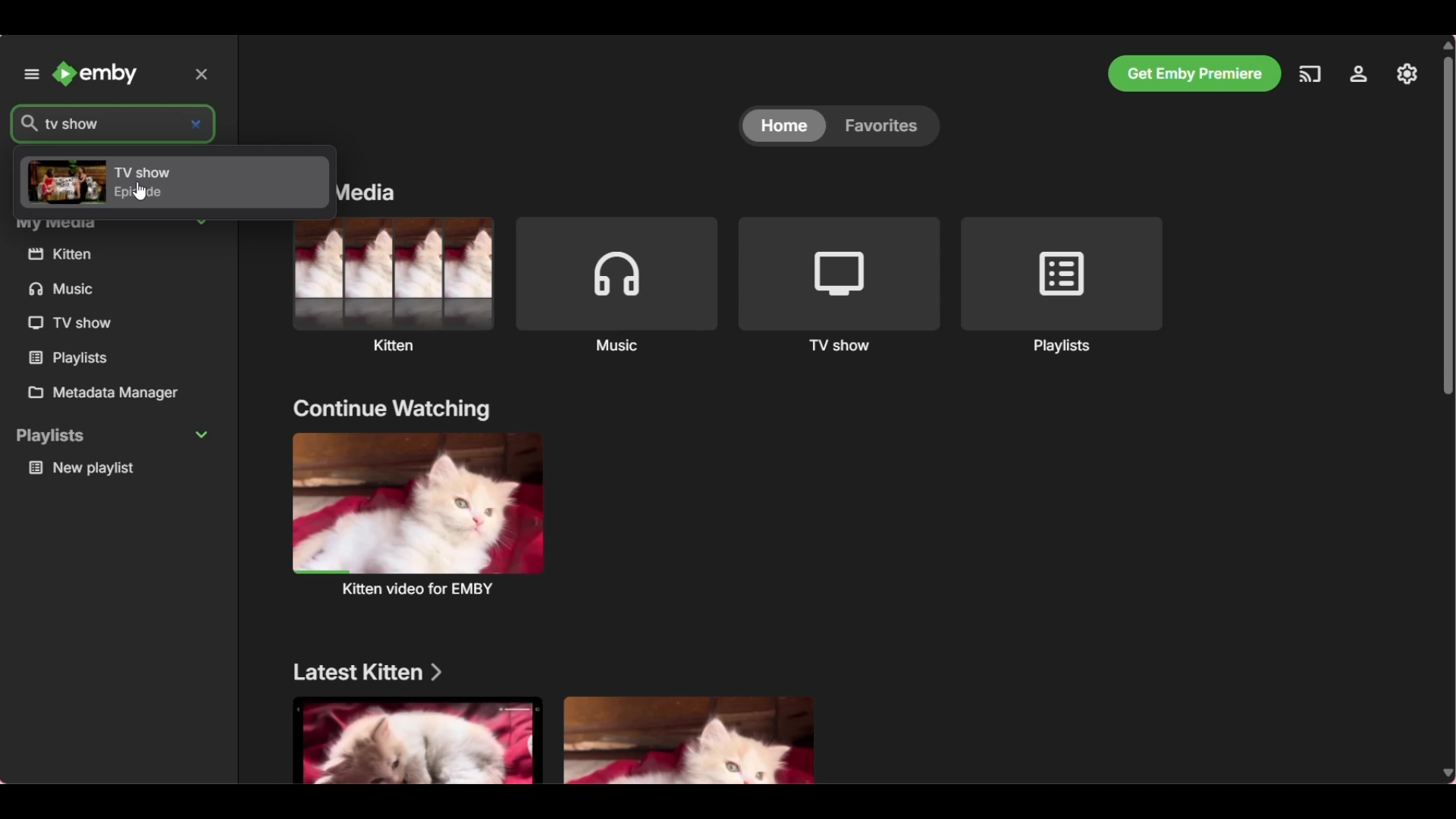 The image size is (1456, 819). Describe the element at coordinates (413, 742) in the screenshot. I see `Media files under above mentioned section` at that location.